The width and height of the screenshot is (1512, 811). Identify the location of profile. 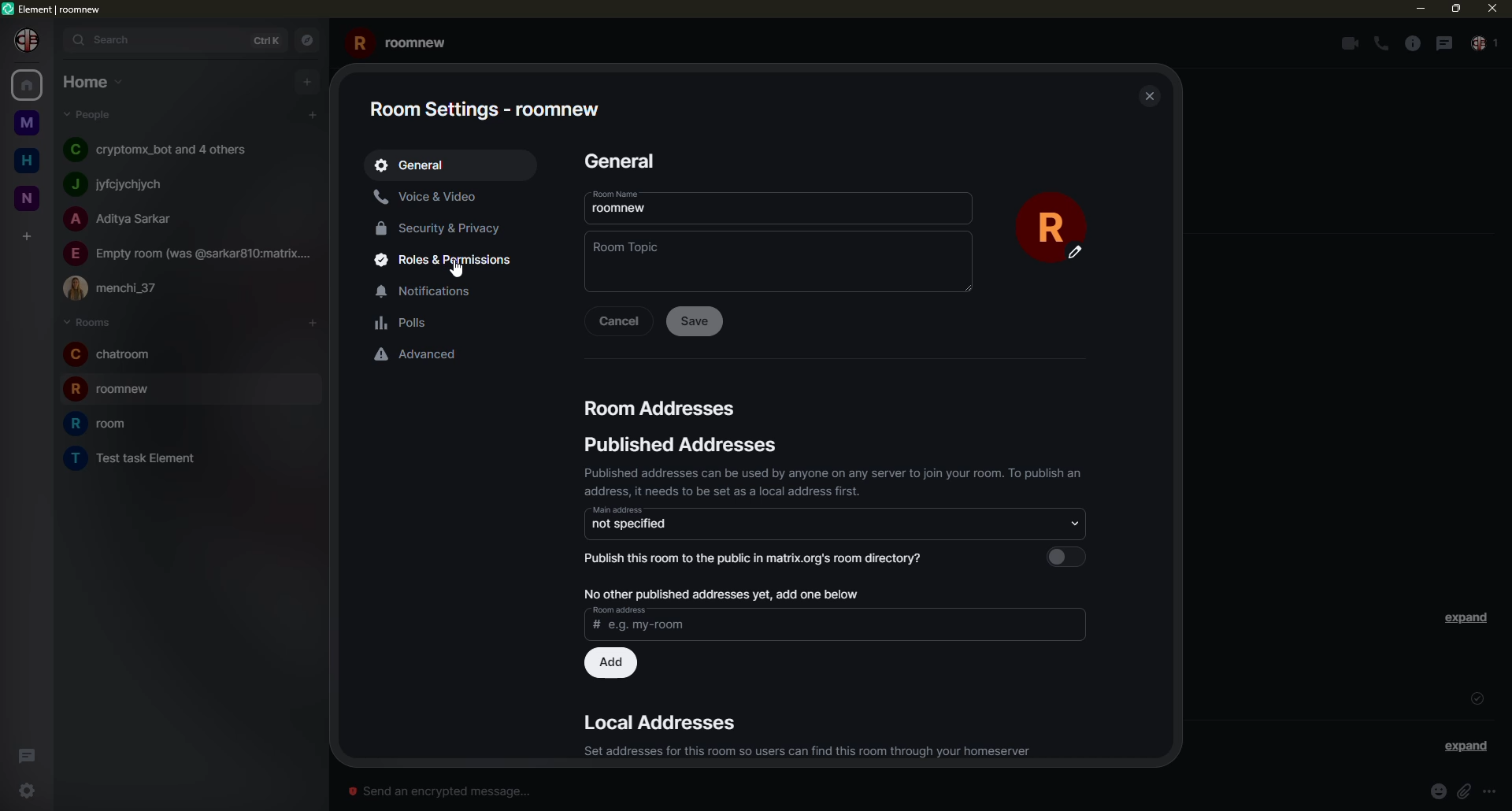
(28, 40).